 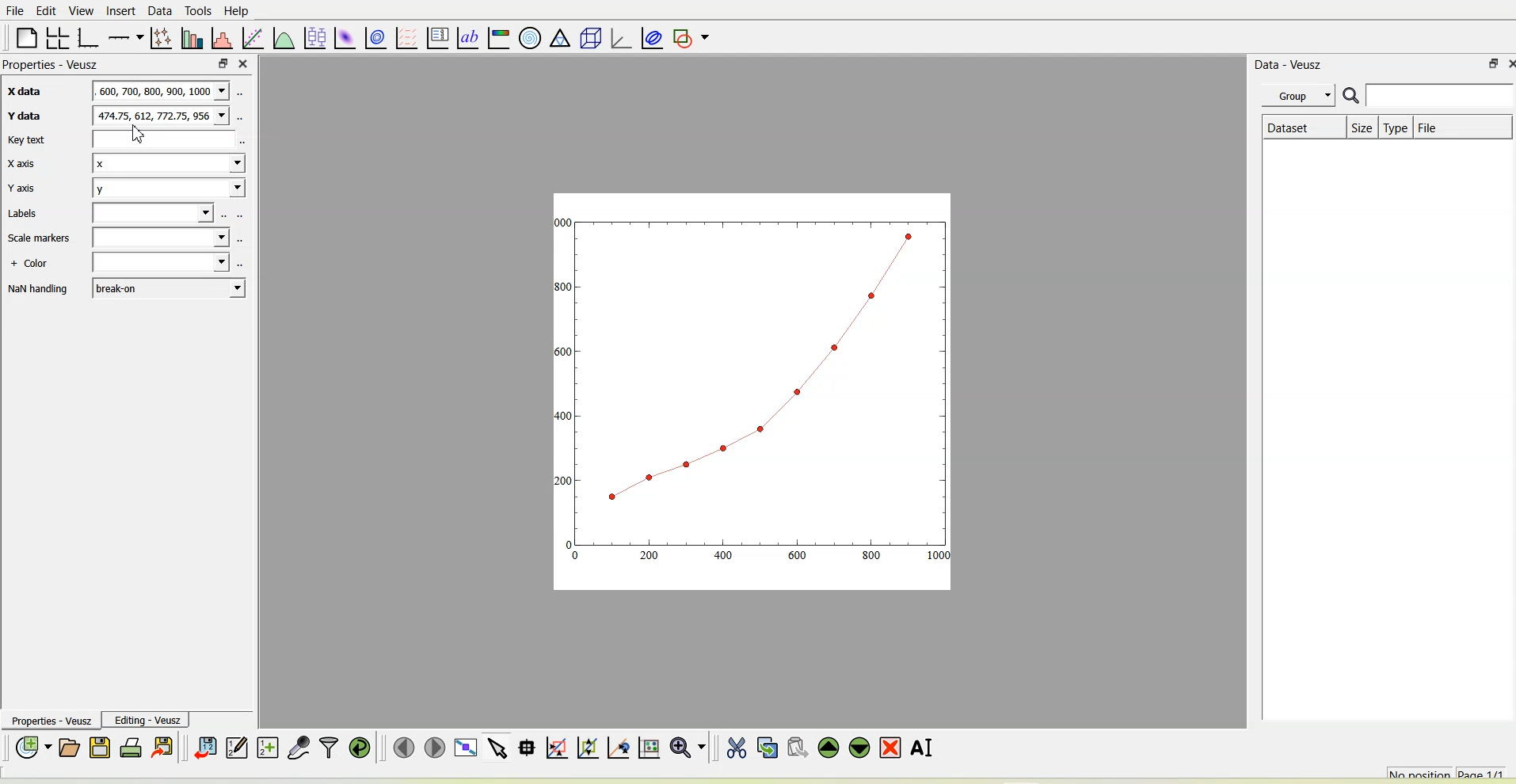 I want to click on Edit, so click(x=47, y=12).